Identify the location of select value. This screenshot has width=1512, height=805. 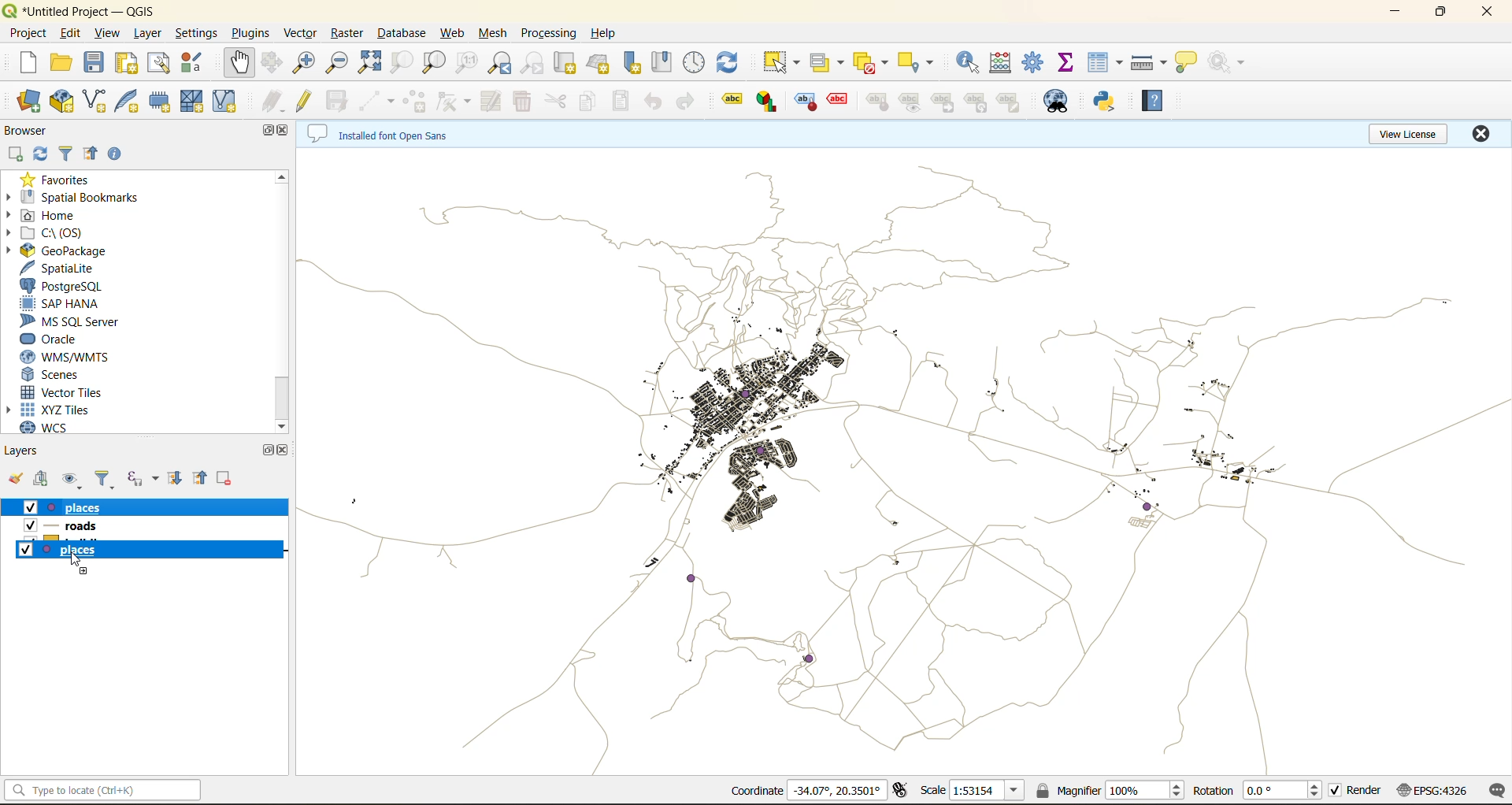
(830, 61).